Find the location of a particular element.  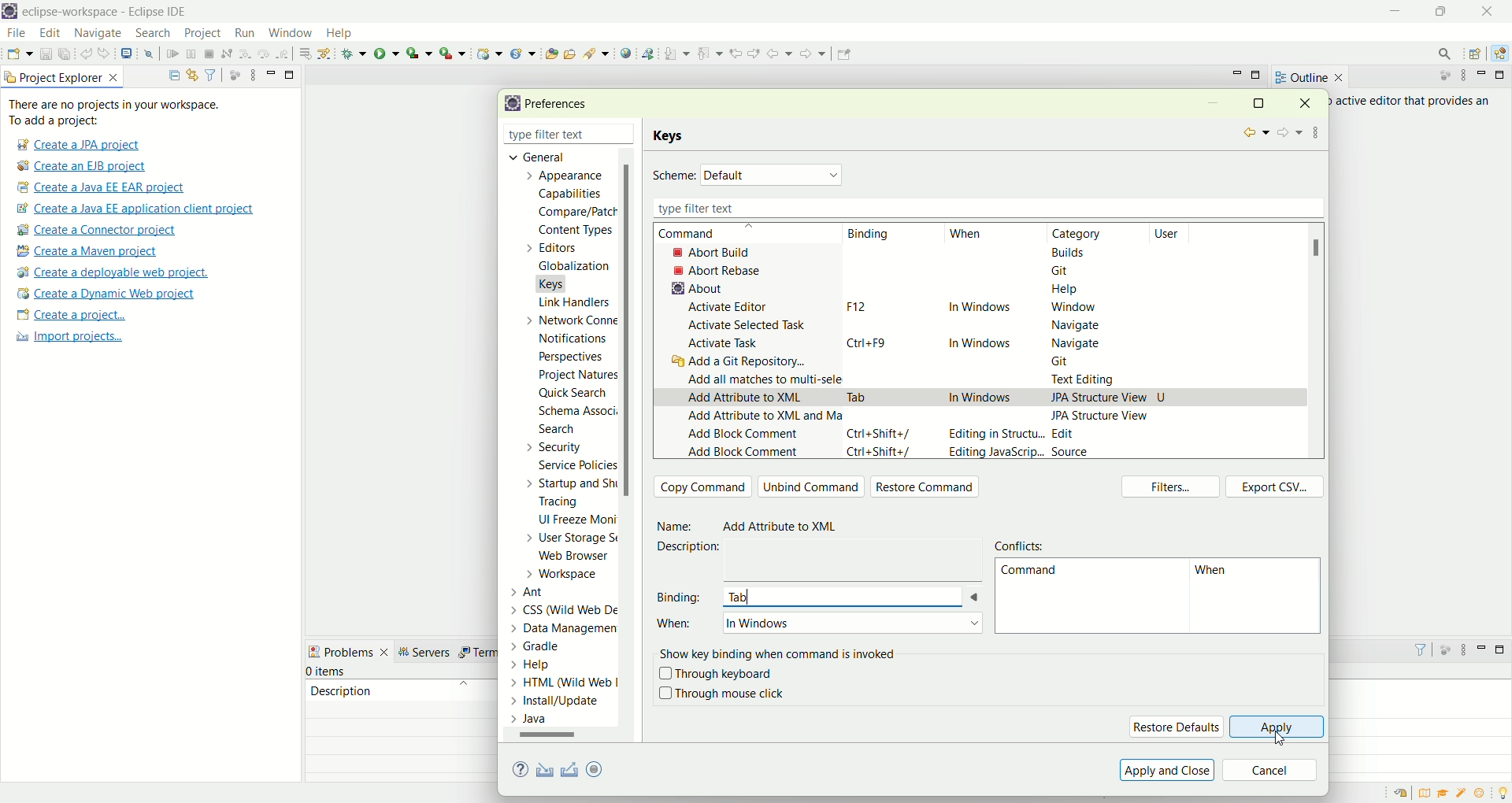

web service explorer is located at coordinates (647, 53).